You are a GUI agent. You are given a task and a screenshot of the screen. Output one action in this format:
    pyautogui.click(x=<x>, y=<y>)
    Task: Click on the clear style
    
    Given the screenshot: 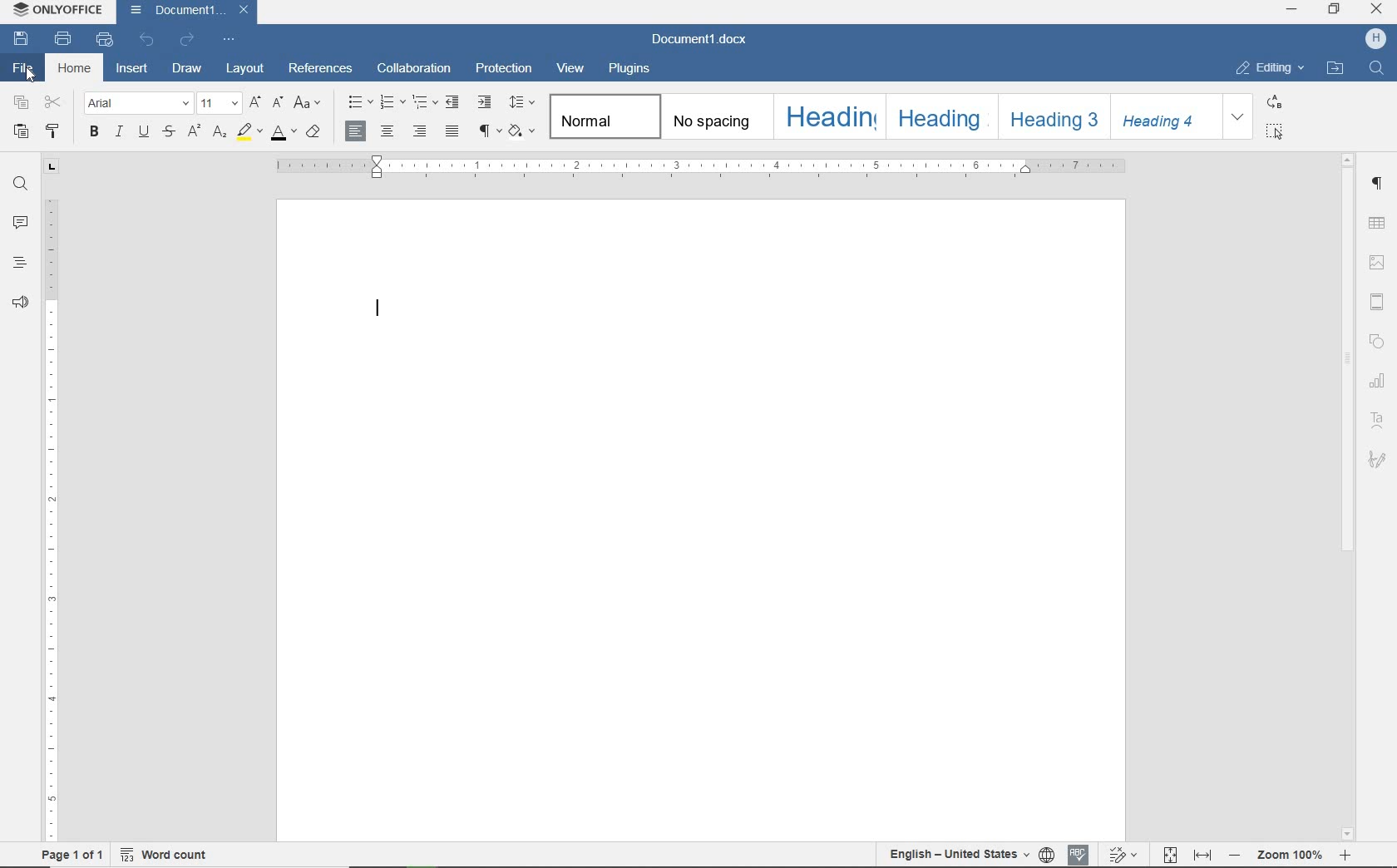 What is the action you would take?
    pyautogui.click(x=313, y=132)
    